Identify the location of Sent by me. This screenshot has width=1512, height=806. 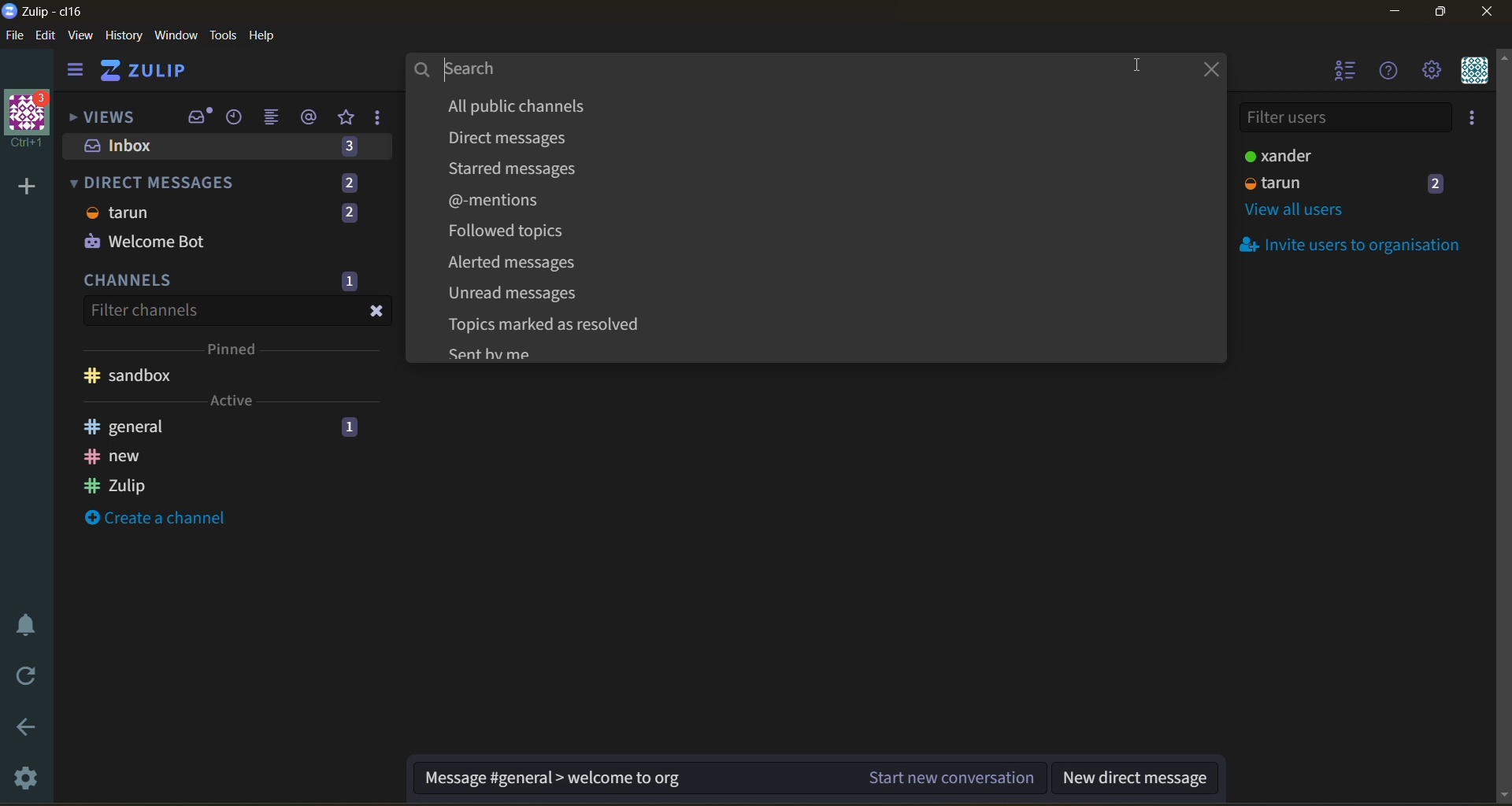
(484, 353).